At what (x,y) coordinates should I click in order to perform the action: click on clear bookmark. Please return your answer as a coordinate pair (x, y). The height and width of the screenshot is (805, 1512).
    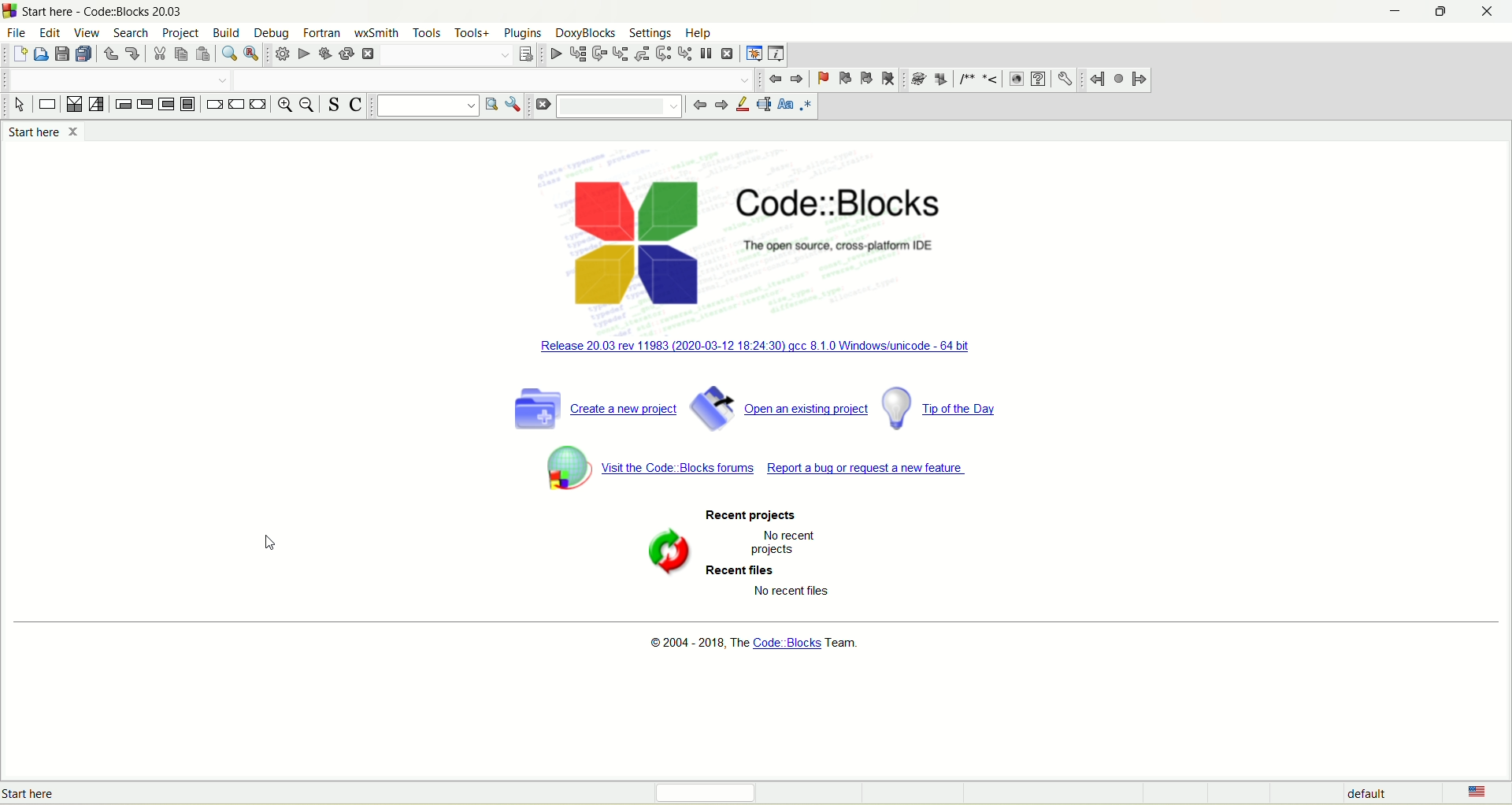
    Looking at the image, I should click on (888, 77).